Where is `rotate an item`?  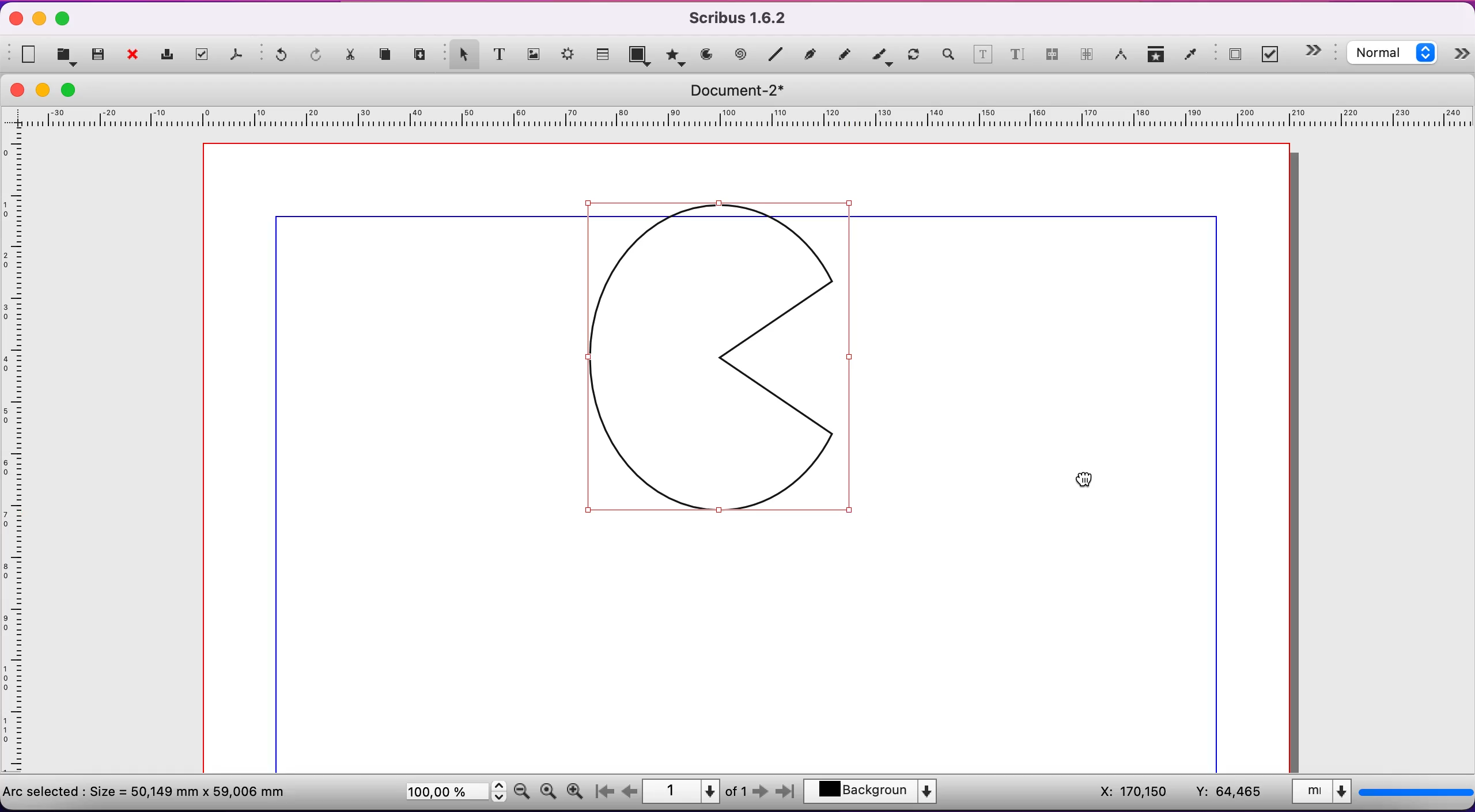 rotate an item is located at coordinates (914, 56).